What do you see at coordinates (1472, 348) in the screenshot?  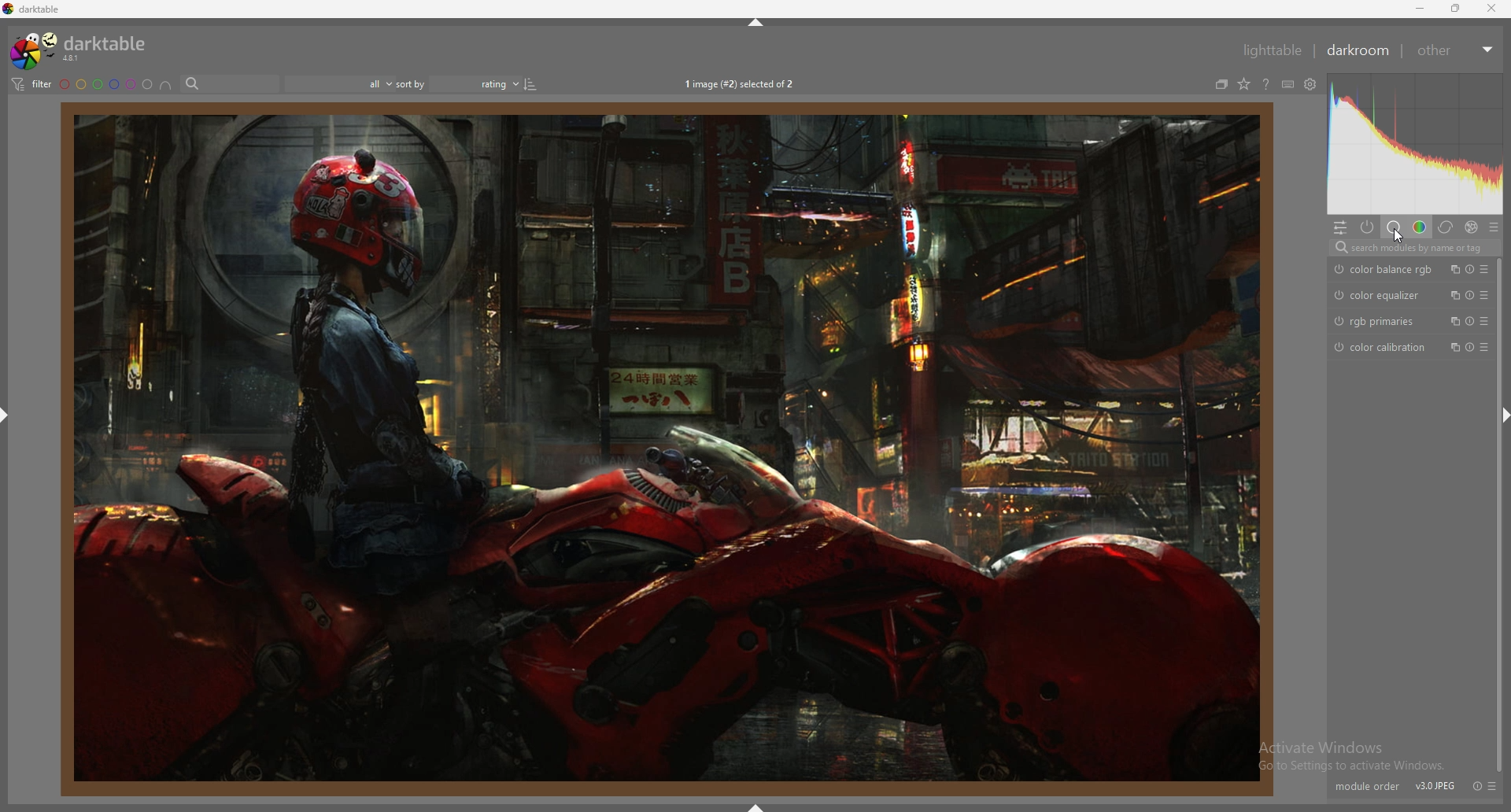 I see `reset` at bounding box center [1472, 348].